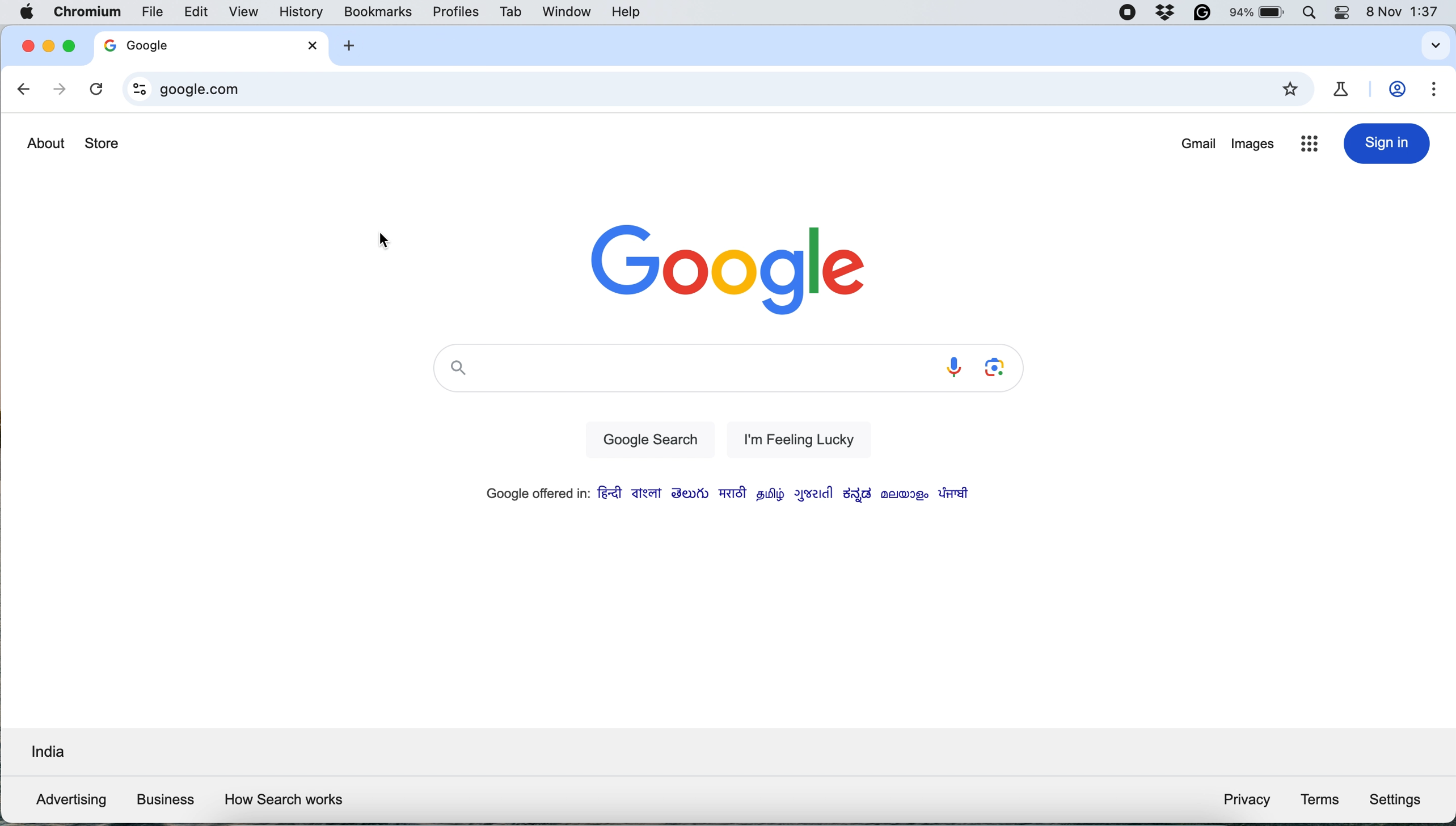  Describe the element at coordinates (1309, 146) in the screenshot. I see `chrome store` at that location.